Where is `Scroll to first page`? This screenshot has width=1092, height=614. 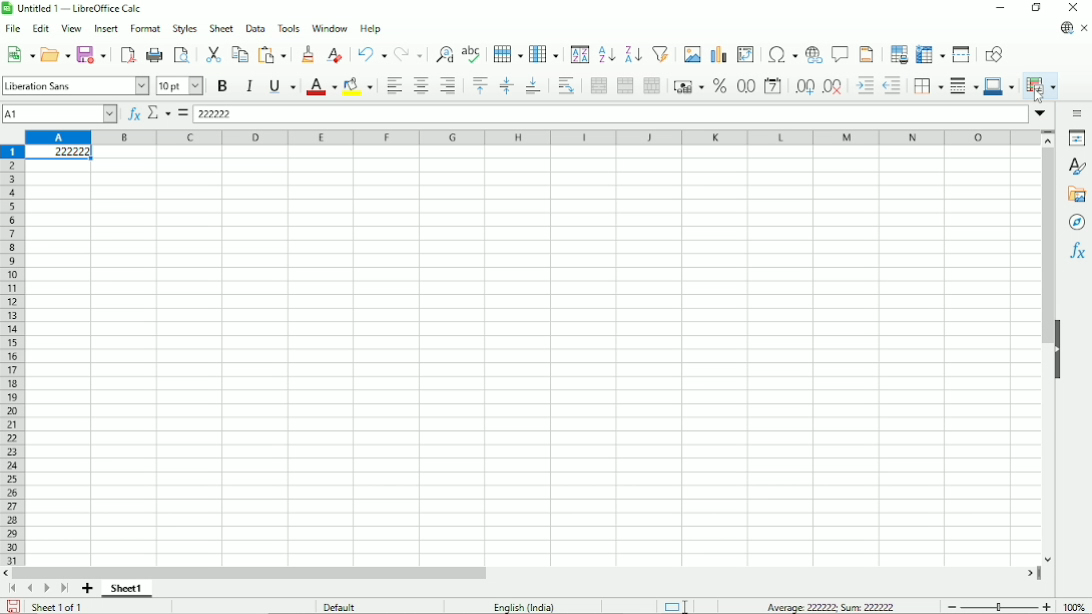
Scroll to first page is located at coordinates (13, 589).